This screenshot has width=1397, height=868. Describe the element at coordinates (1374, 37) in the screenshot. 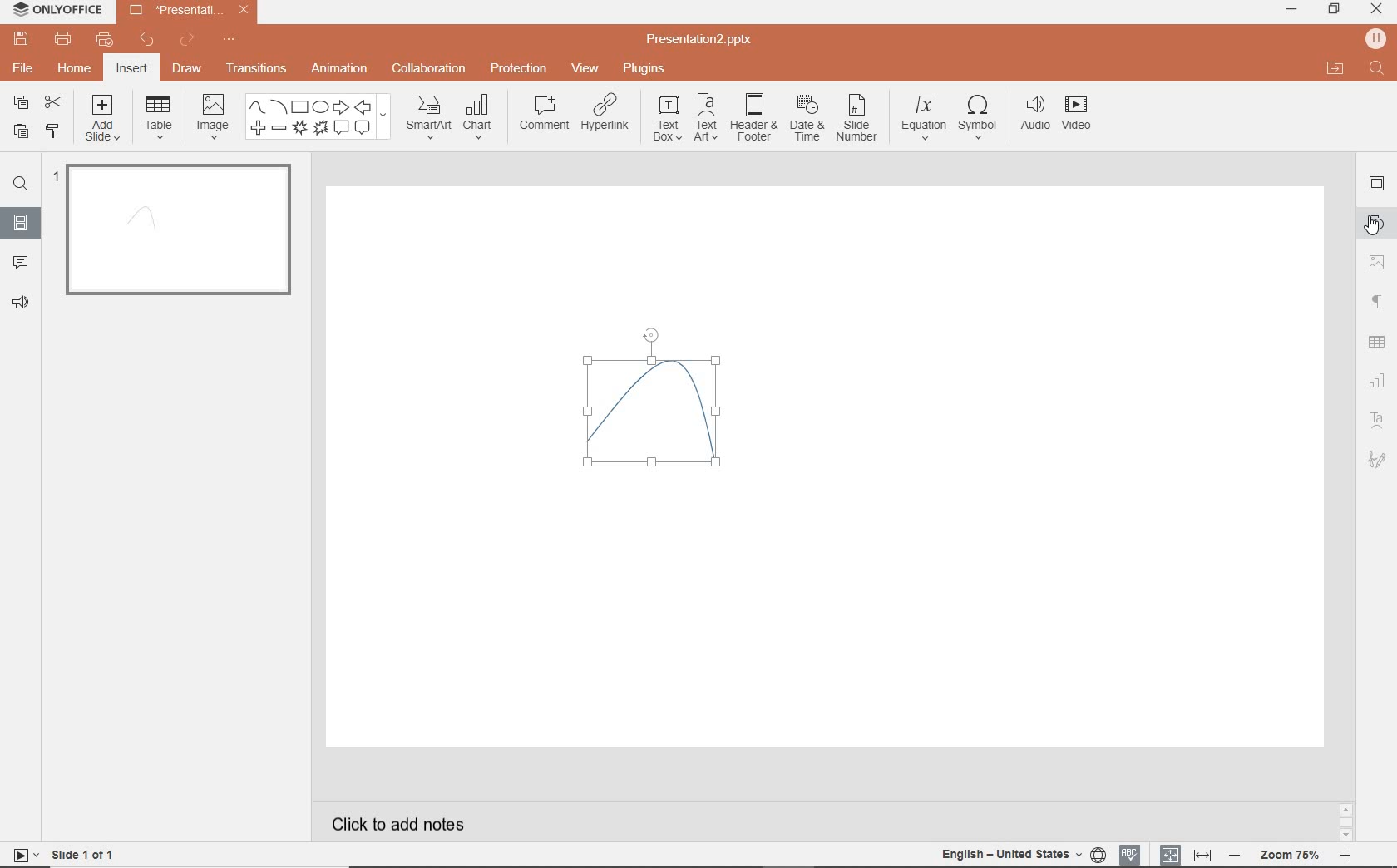

I see `HP` at that location.